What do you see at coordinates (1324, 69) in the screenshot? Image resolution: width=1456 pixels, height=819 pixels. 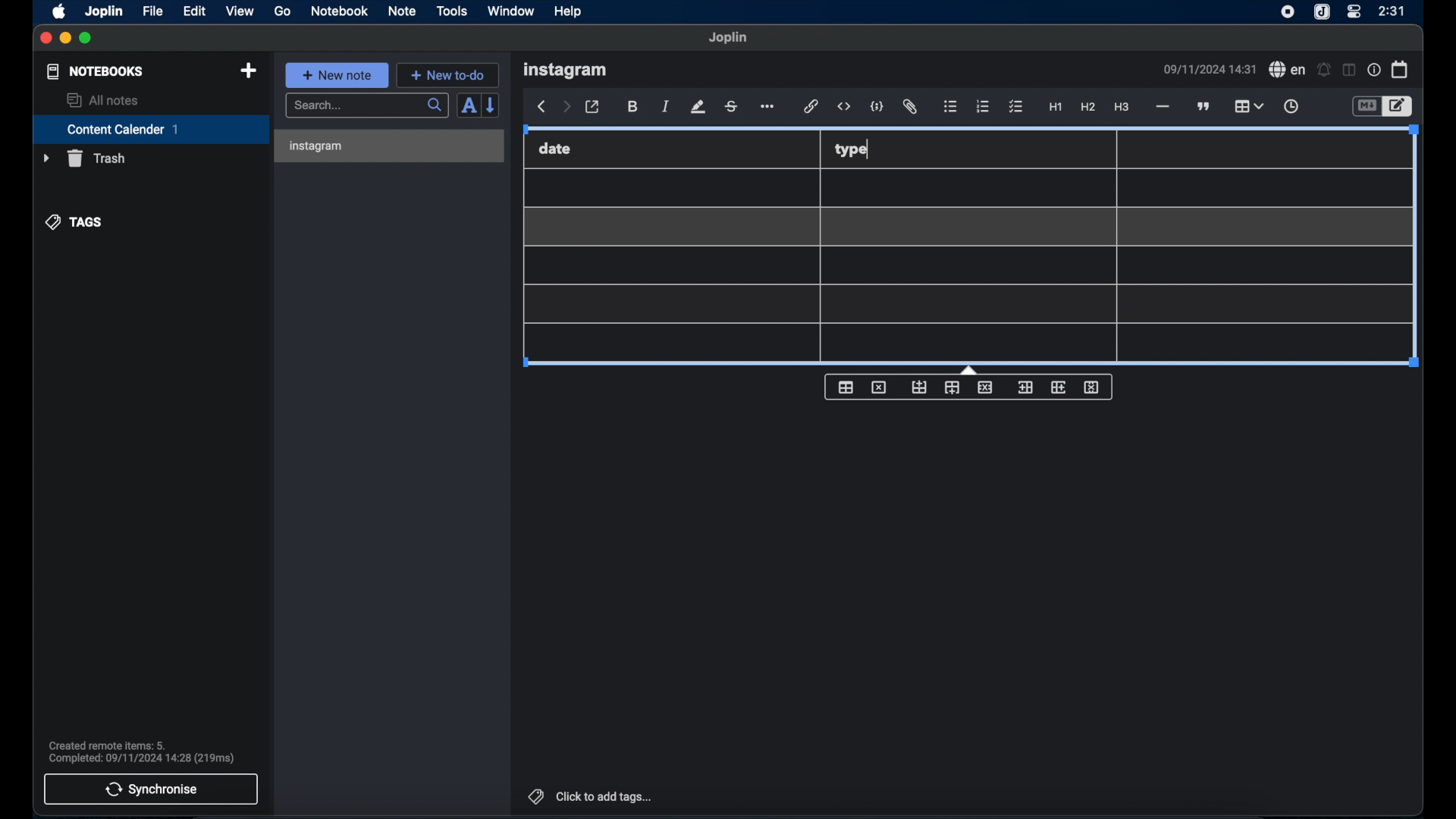 I see `set alarm` at bounding box center [1324, 69].